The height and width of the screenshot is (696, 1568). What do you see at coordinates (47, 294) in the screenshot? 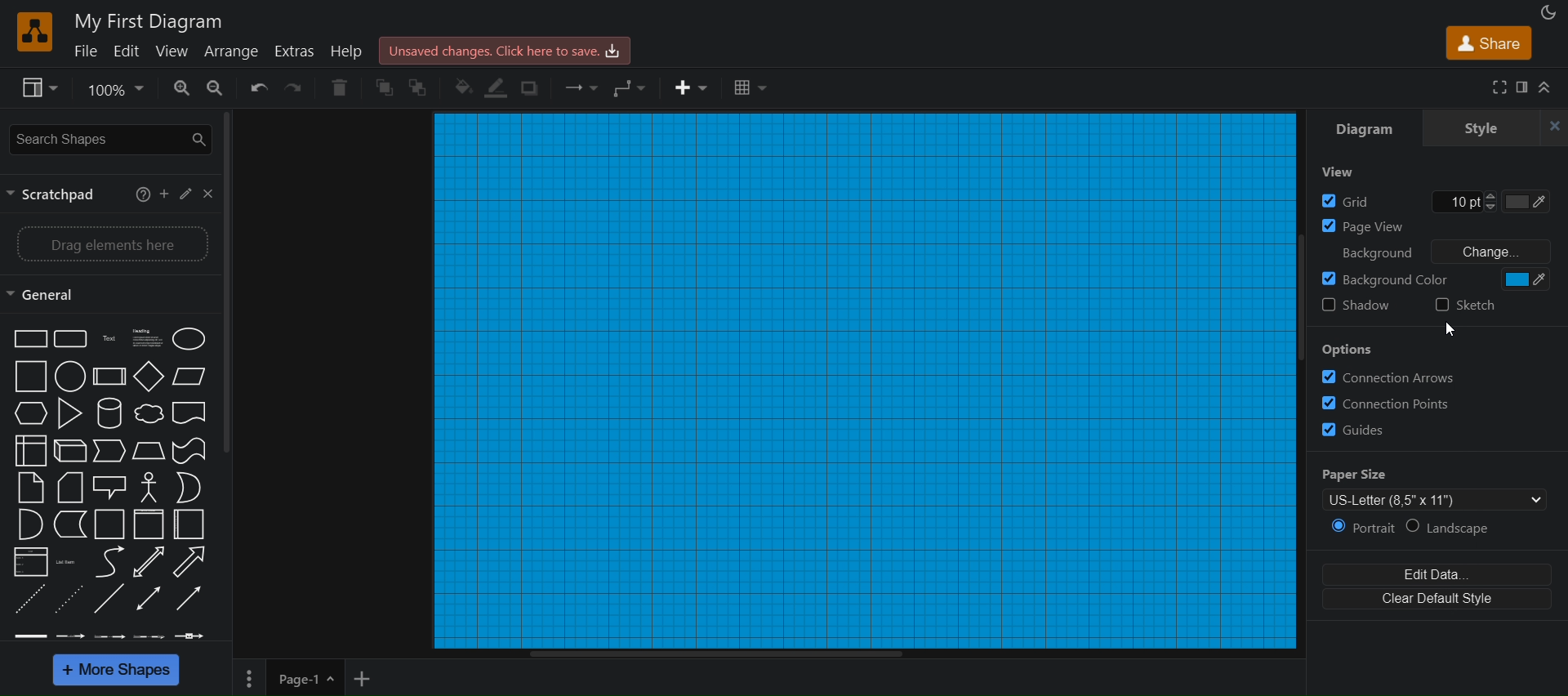
I see `general` at bounding box center [47, 294].